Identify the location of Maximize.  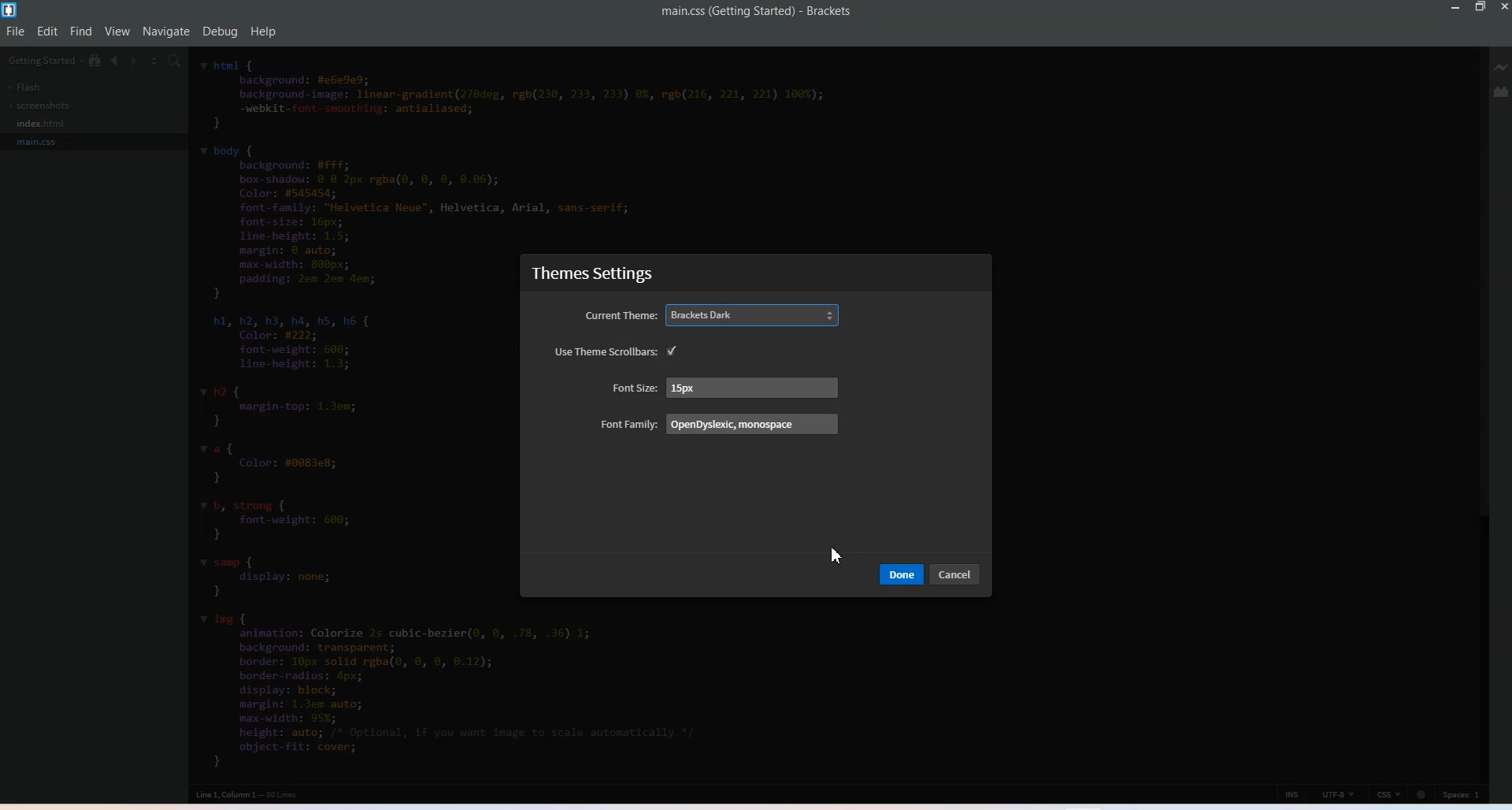
(1481, 8).